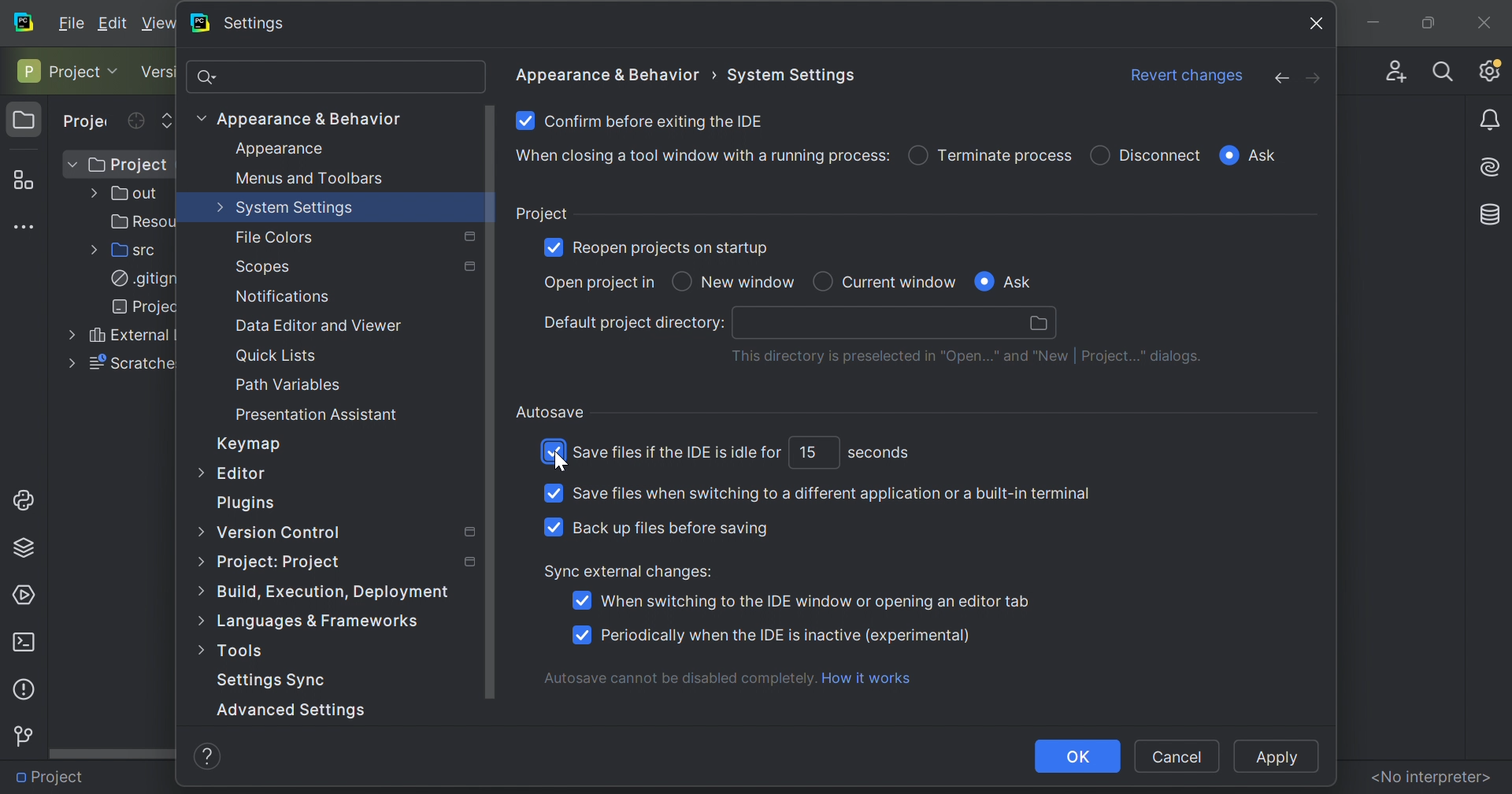 This screenshot has height=794, width=1512. Describe the element at coordinates (489, 405) in the screenshot. I see `Scroll bar` at that location.